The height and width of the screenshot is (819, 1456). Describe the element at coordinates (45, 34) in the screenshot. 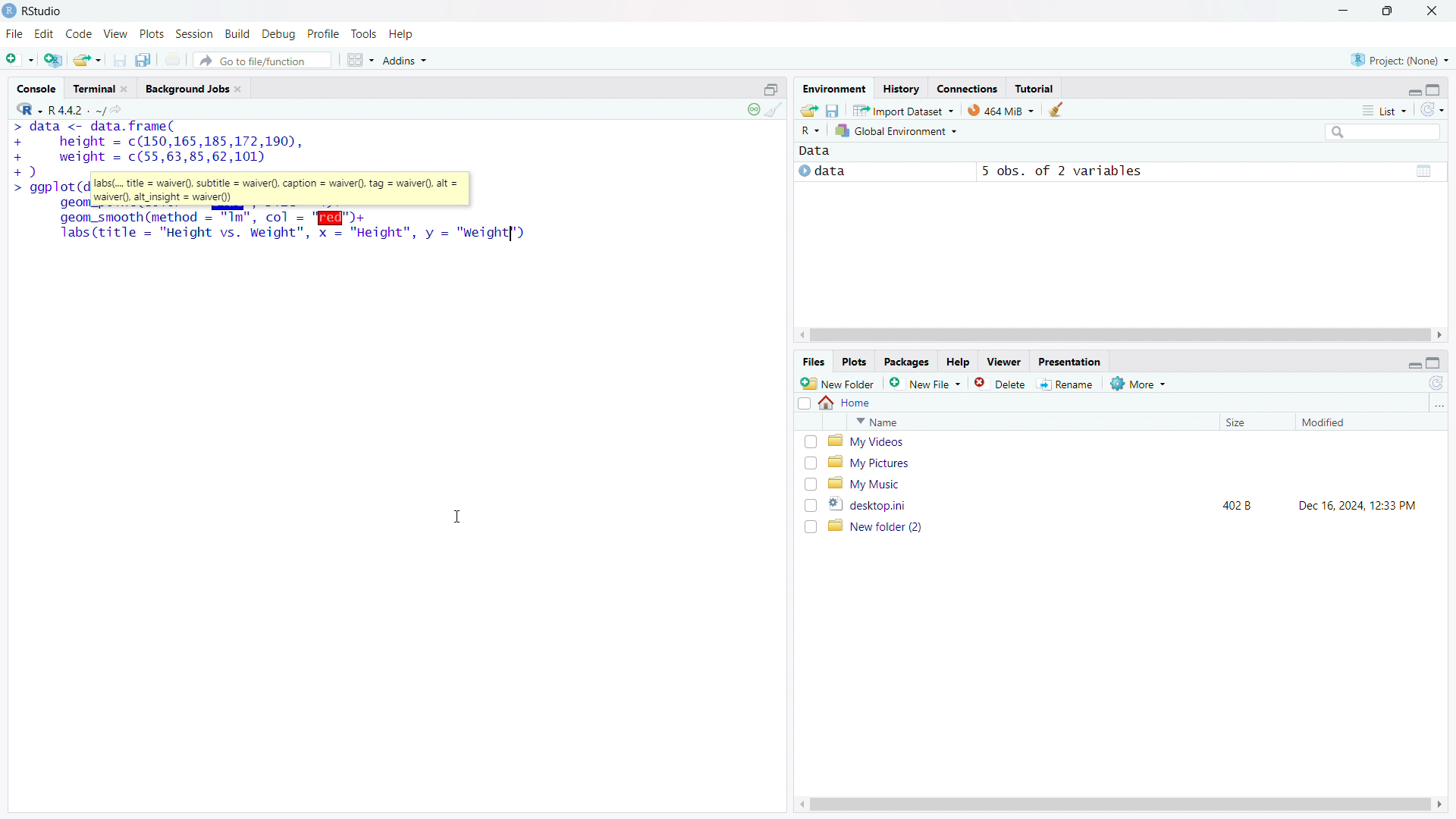

I see `edit` at that location.